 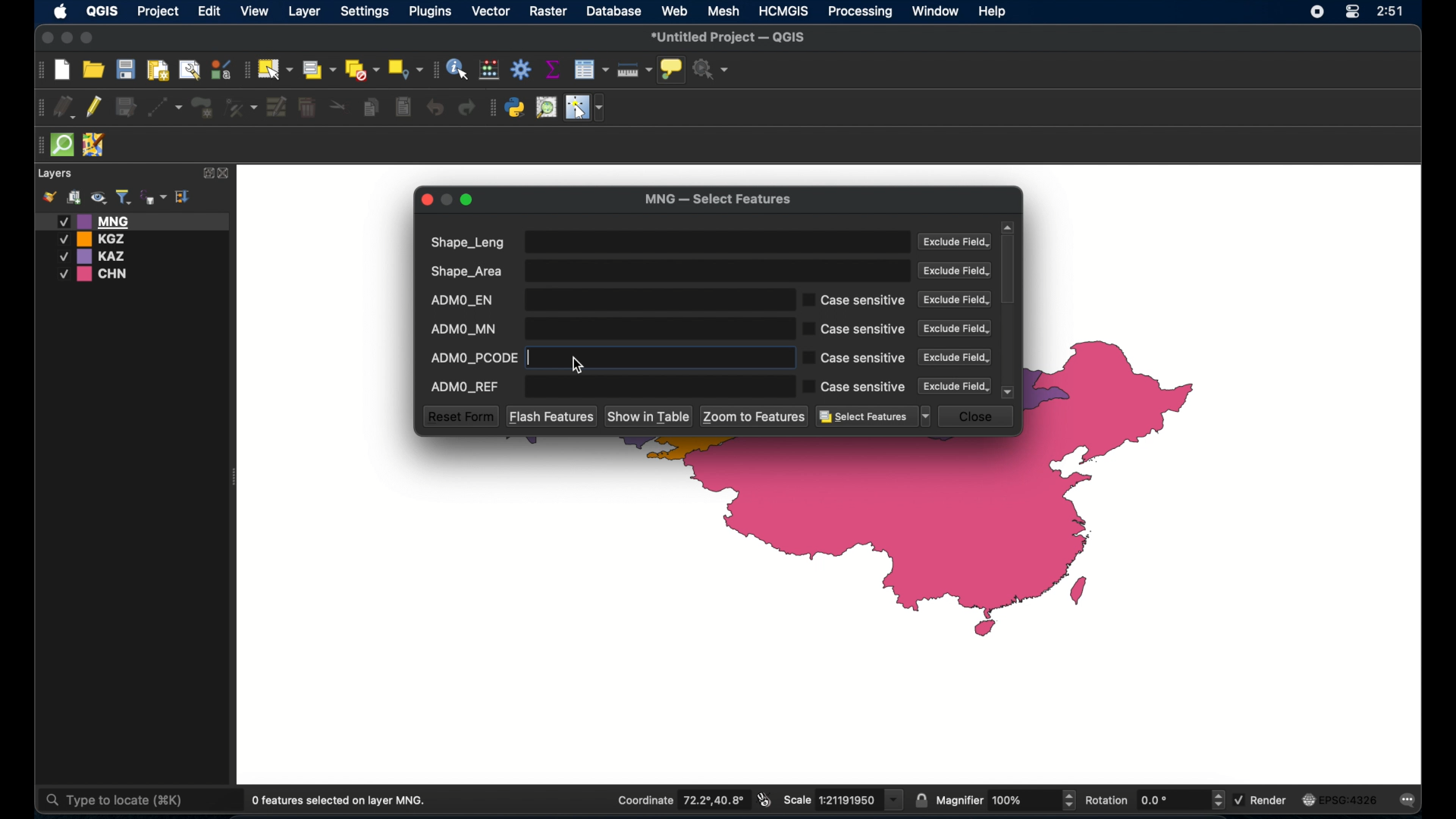 What do you see at coordinates (469, 108) in the screenshot?
I see `redo` at bounding box center [469, 108].